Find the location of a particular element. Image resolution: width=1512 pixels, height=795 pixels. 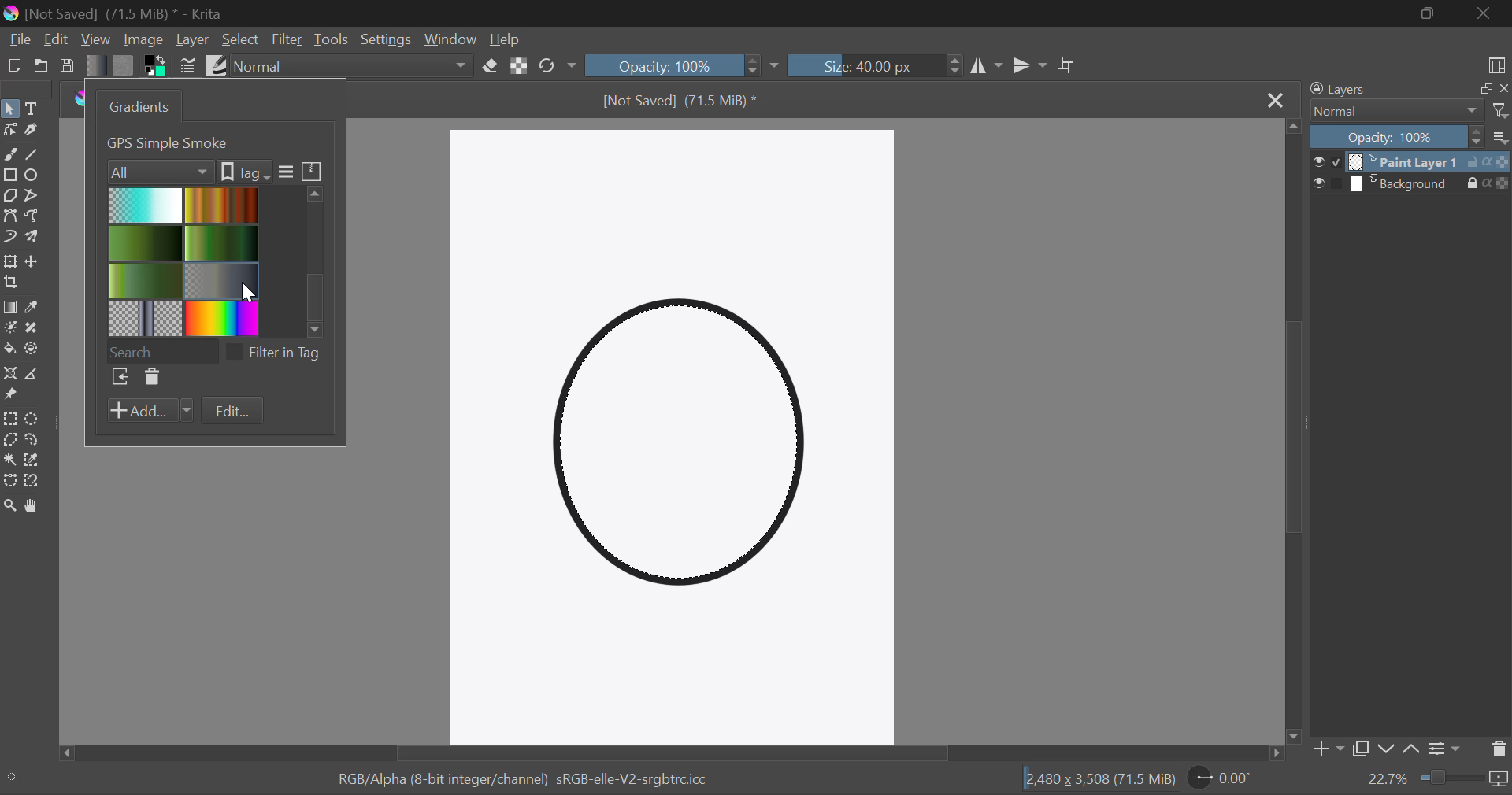

2 Green Gradient is located at coordinates (148, 245).